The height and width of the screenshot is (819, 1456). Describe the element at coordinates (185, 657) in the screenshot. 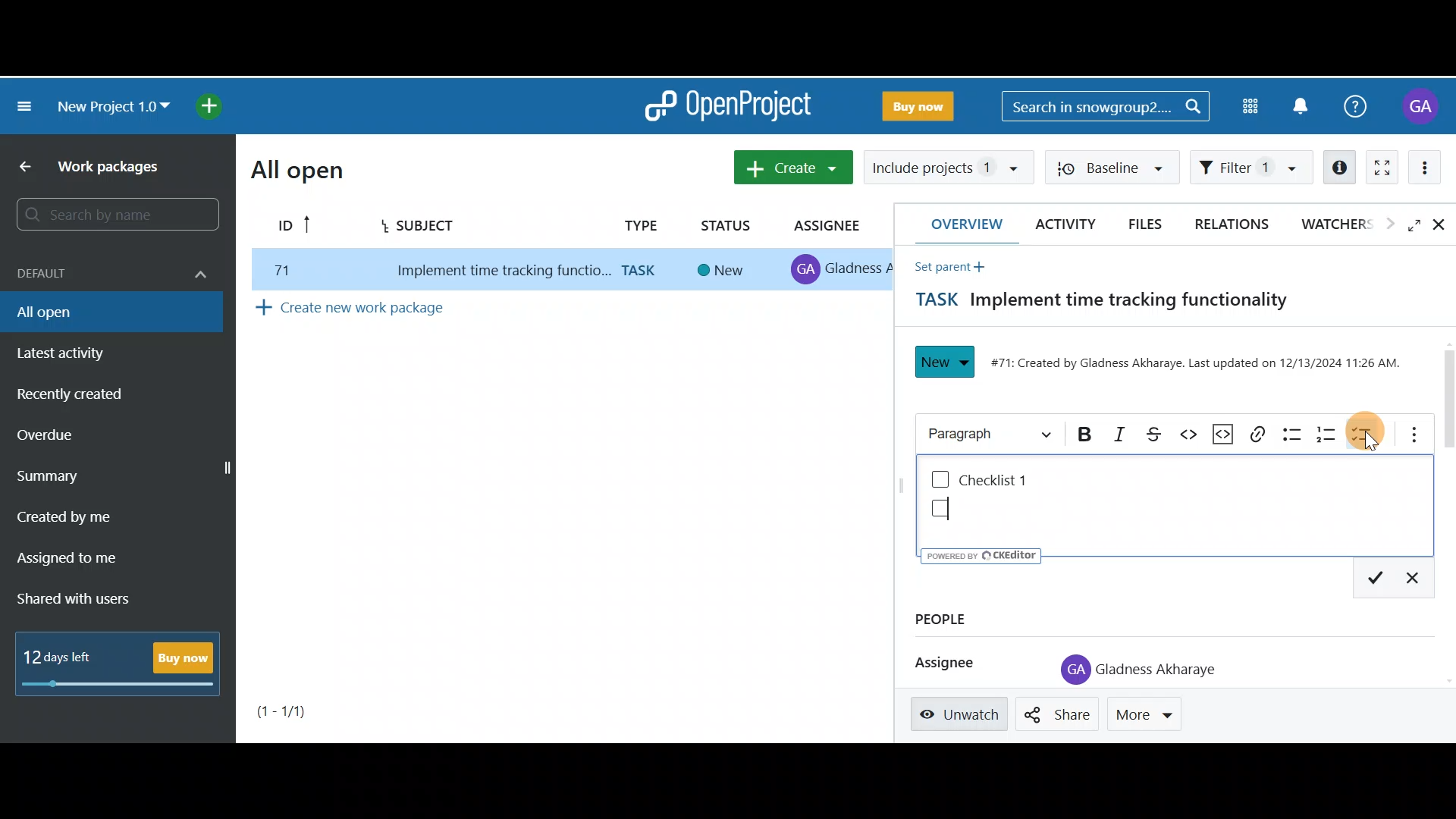

I see `Buy now` at that location.